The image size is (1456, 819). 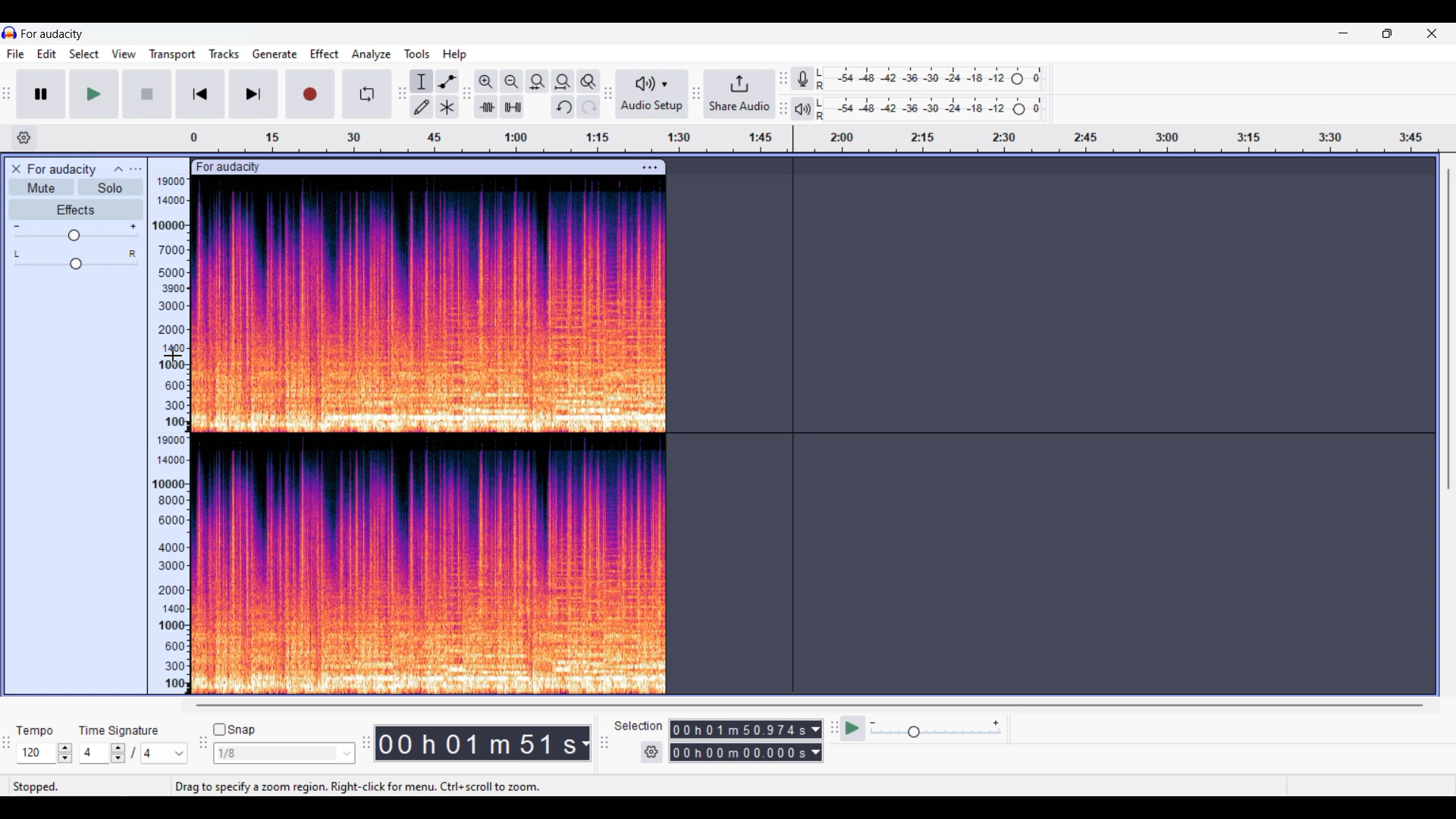 What do you see at coordinates (808, 704) in the screenshot?
I see `Horizontal slide bar` at bounding box center [808, 704].